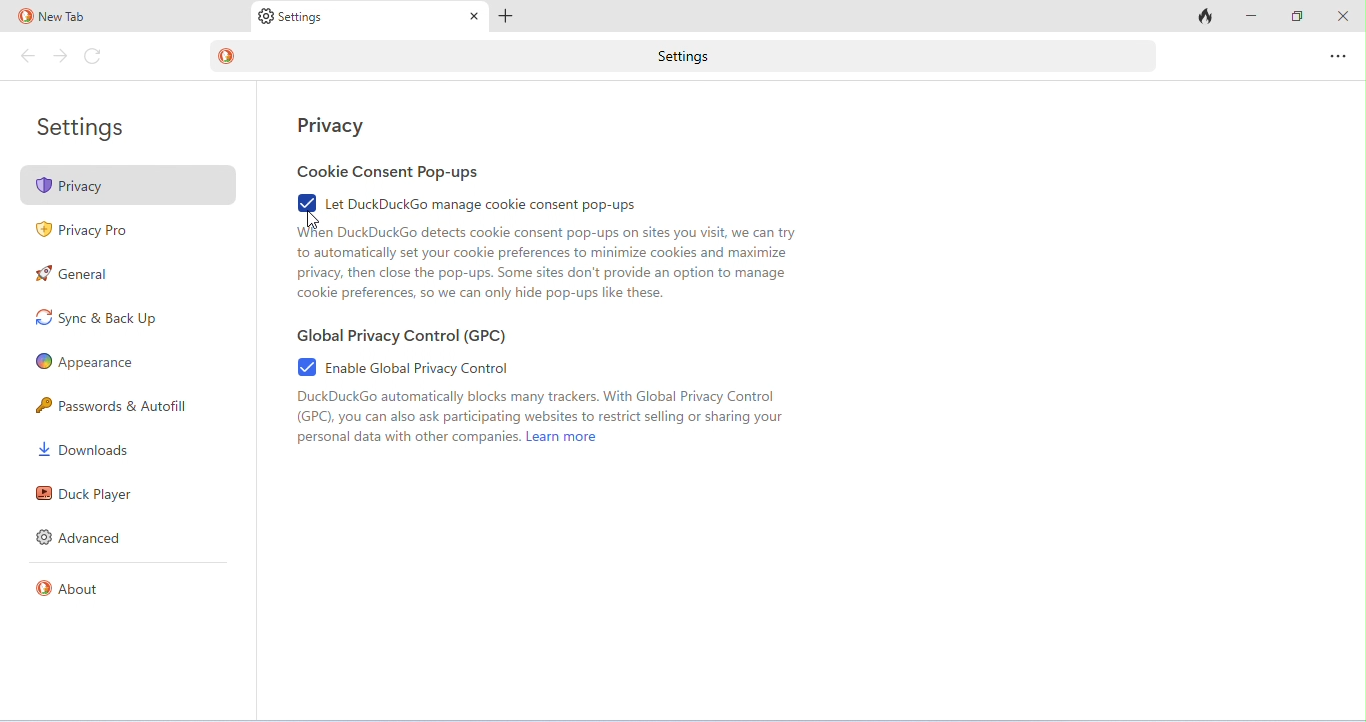  I want to click on close tab, so click(475, 17).